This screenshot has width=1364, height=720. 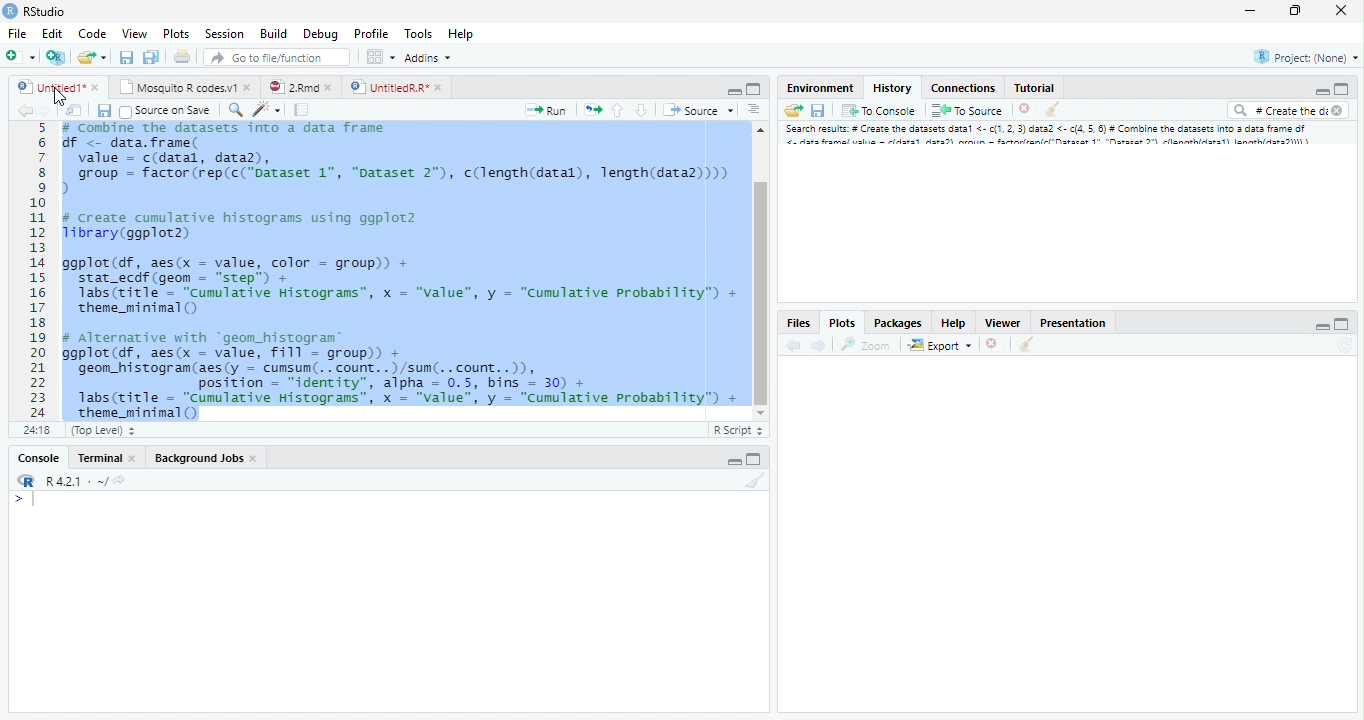 I want to click on 1:1, so click(x=41, y=428).